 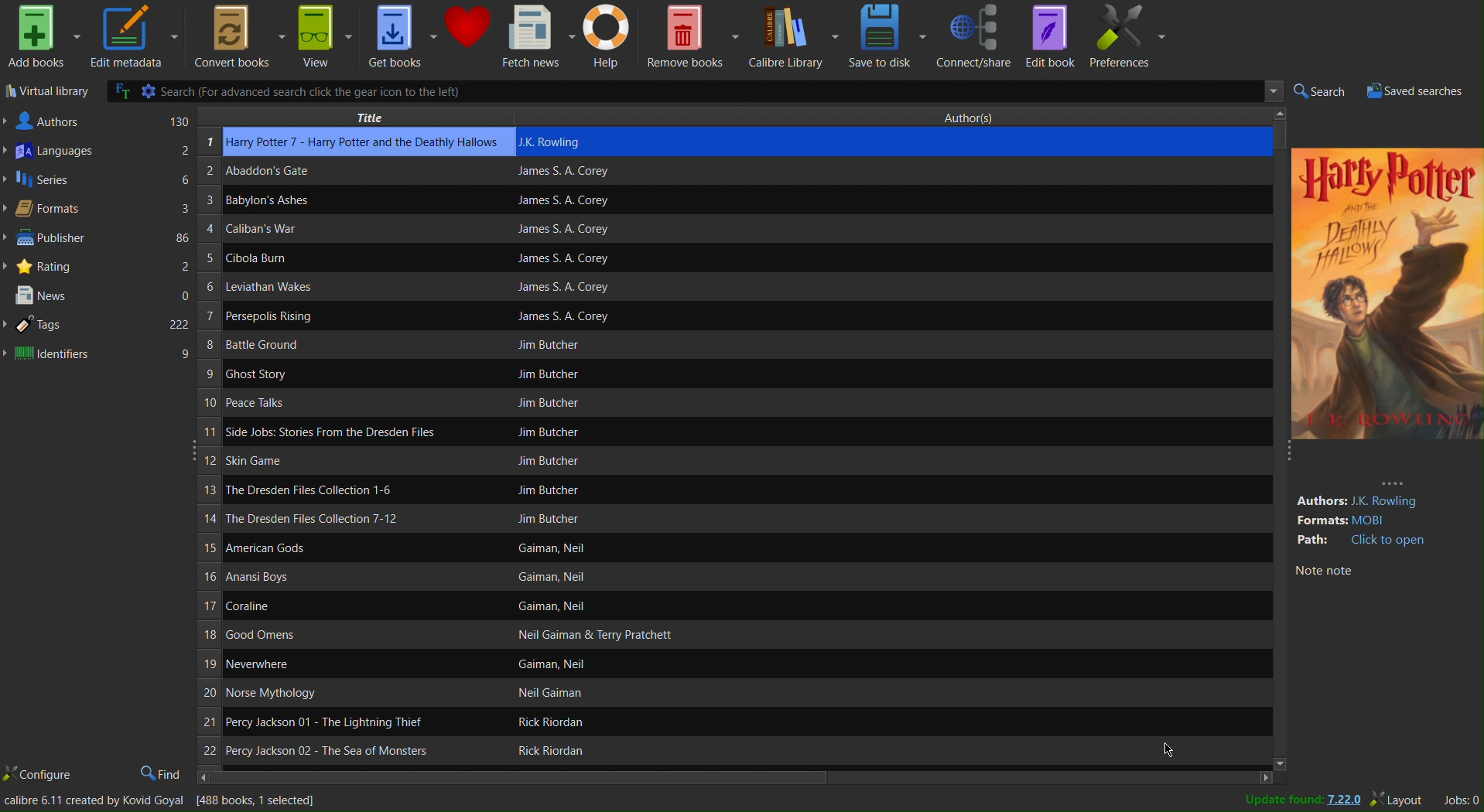 What do you see at coordinates (1381, 520) in the screenshot?
I see `formats` at bounding box center [1381, 520].